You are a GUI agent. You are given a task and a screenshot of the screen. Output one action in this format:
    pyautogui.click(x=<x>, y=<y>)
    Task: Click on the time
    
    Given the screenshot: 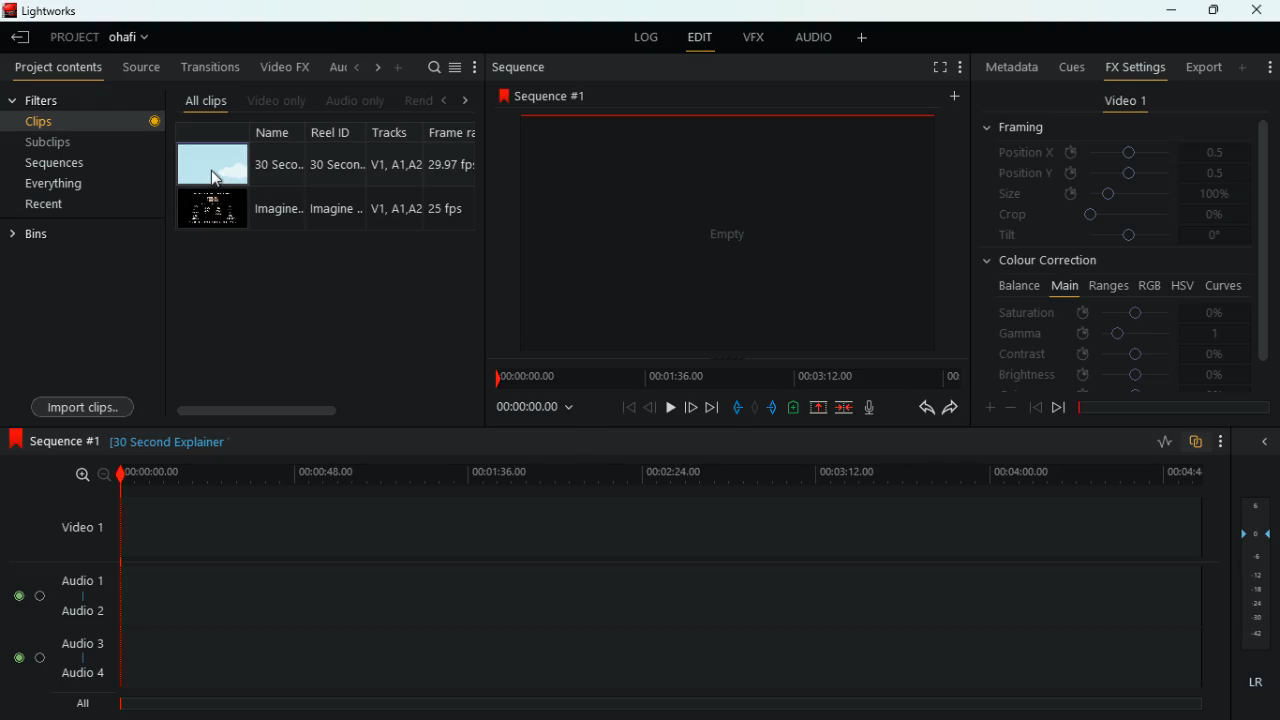 What is the action you would take?
    pyautogui.click(x=659, y=473)
    